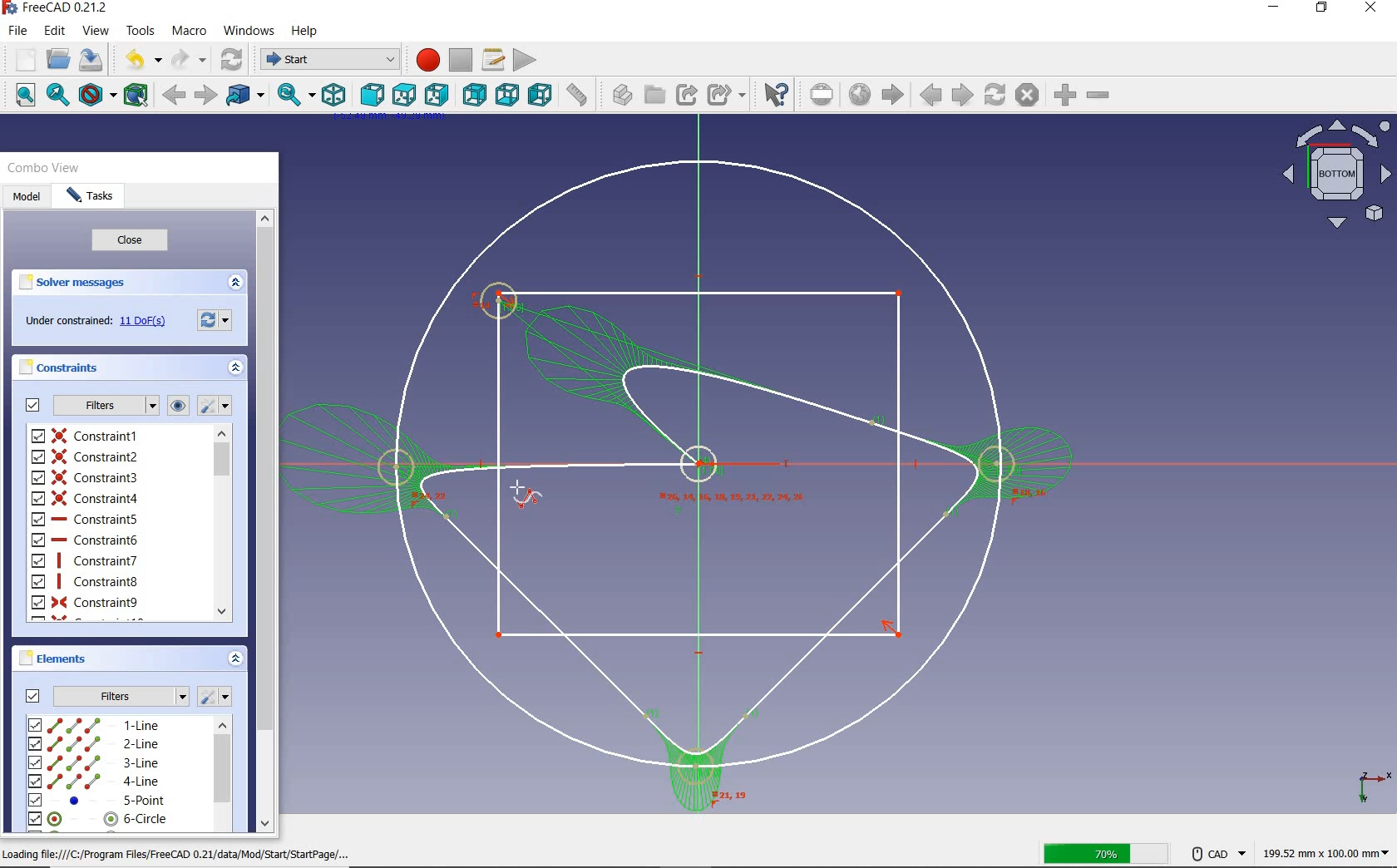 This screenshot has height=868, width=1397. Describe the element at coordinates (94, 782) in the screenshot. I see `4-line` at that location.